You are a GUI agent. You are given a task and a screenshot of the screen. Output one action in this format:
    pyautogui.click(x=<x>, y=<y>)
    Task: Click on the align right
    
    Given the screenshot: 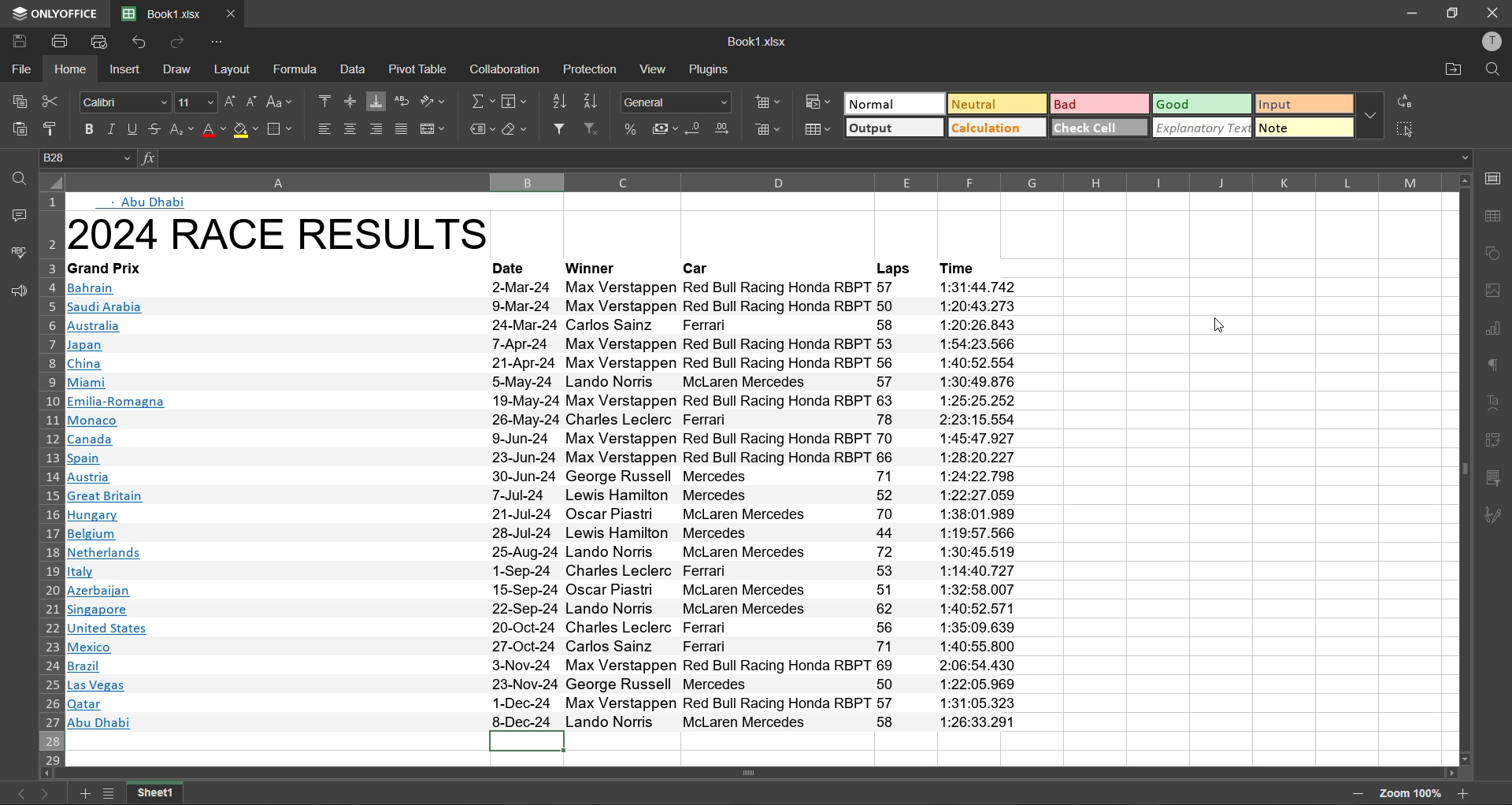 What is the action you would take?
    pyautogui.click(x=379, y=129)
    